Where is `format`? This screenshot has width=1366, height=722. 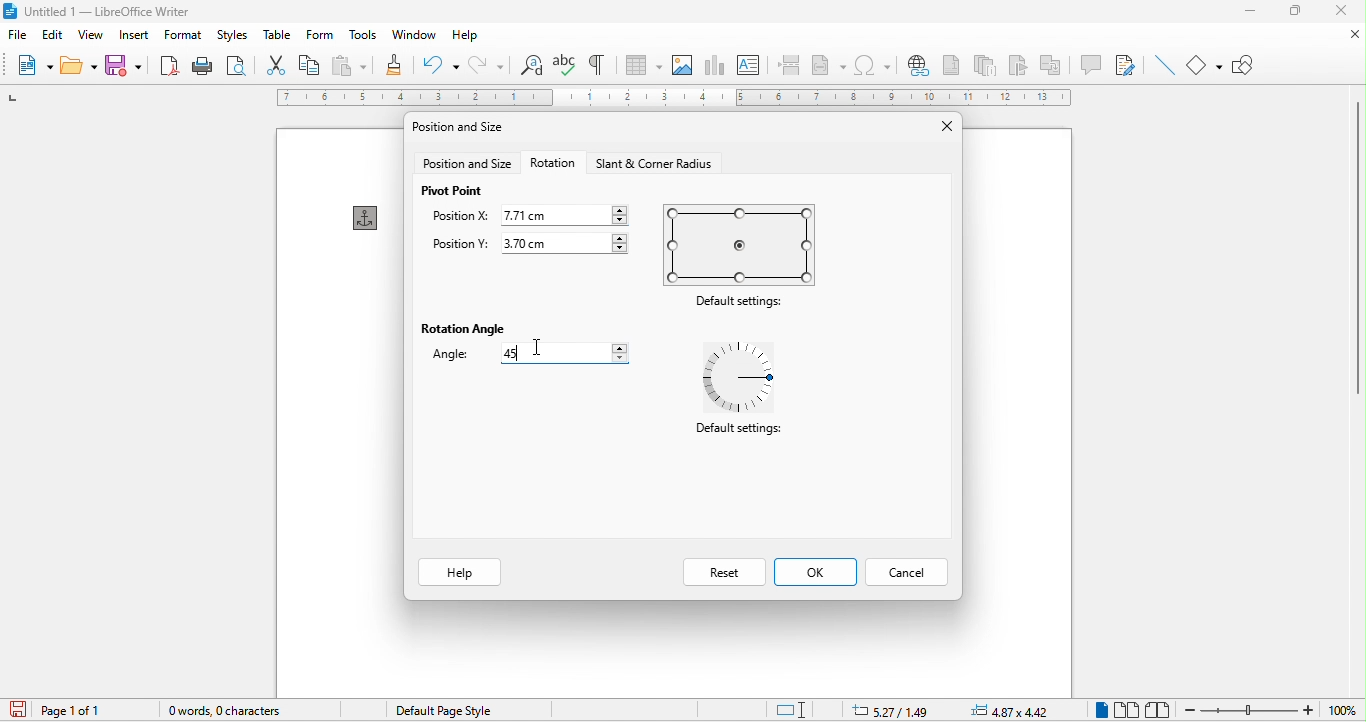 format is located at coordinates (183, 36).